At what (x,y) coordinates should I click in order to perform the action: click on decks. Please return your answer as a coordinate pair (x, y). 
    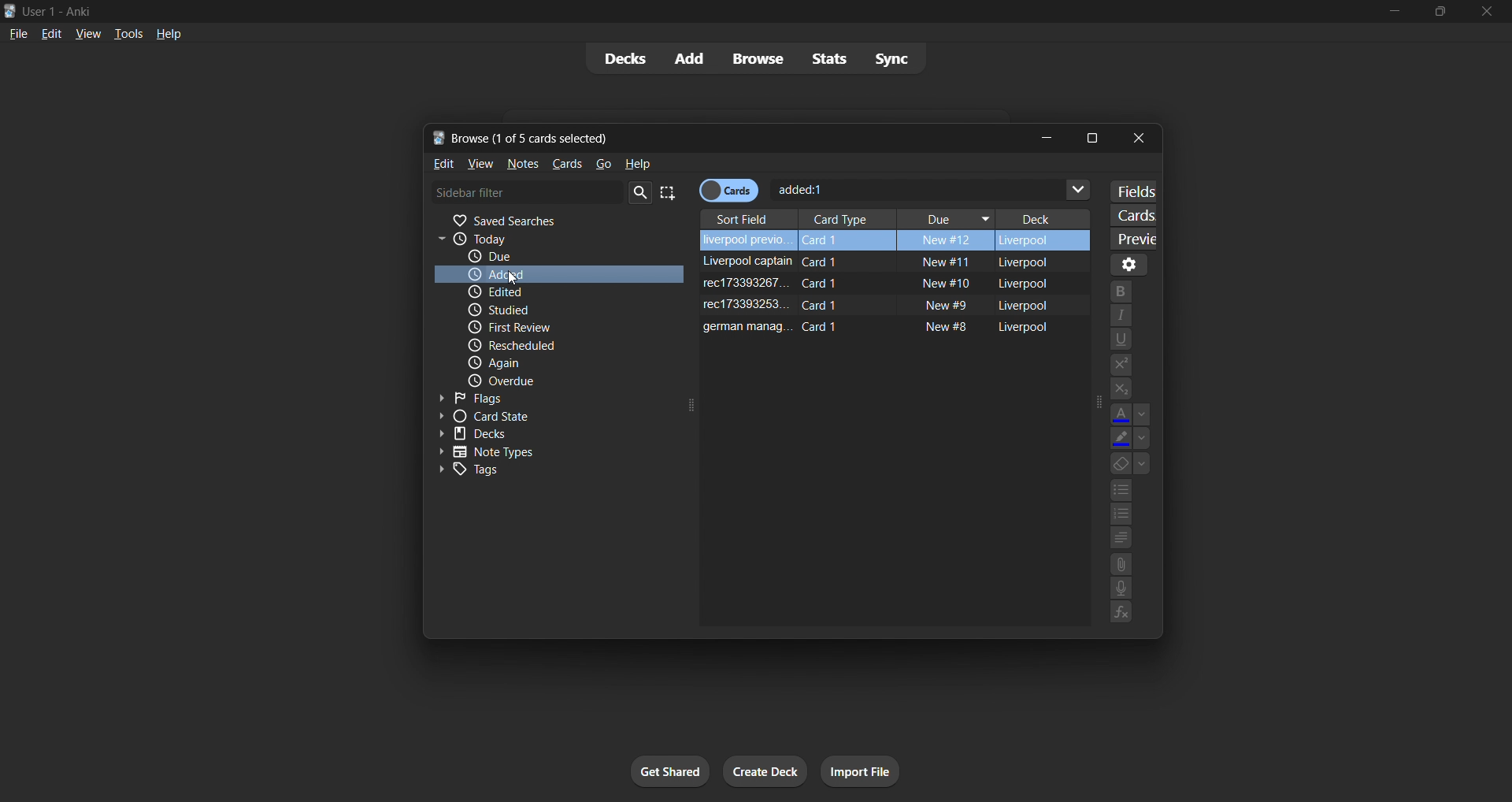
    Looking at the image, I should click on (615, 58).